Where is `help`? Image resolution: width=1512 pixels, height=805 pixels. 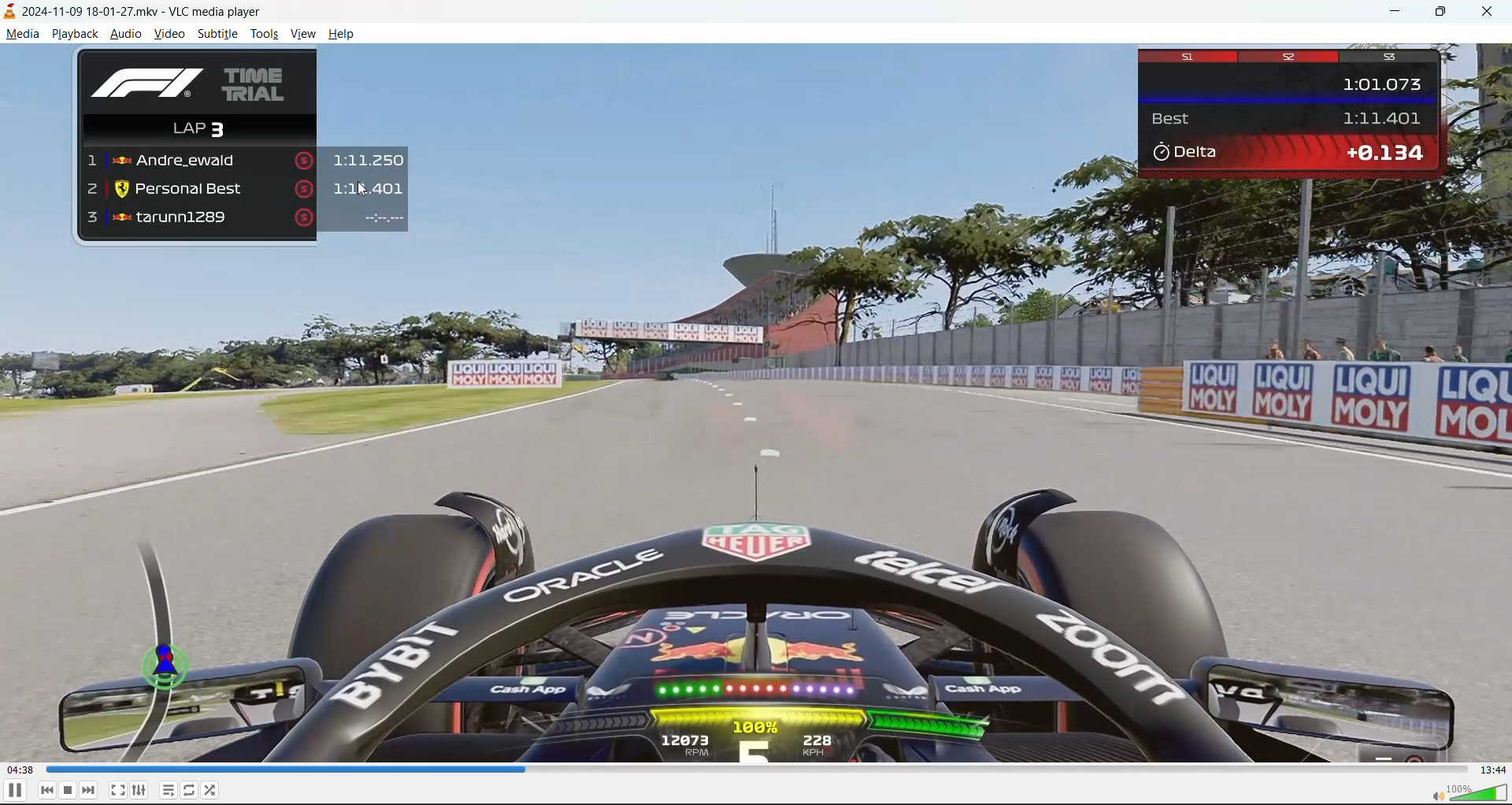
help is located at coordinates (345, 37).